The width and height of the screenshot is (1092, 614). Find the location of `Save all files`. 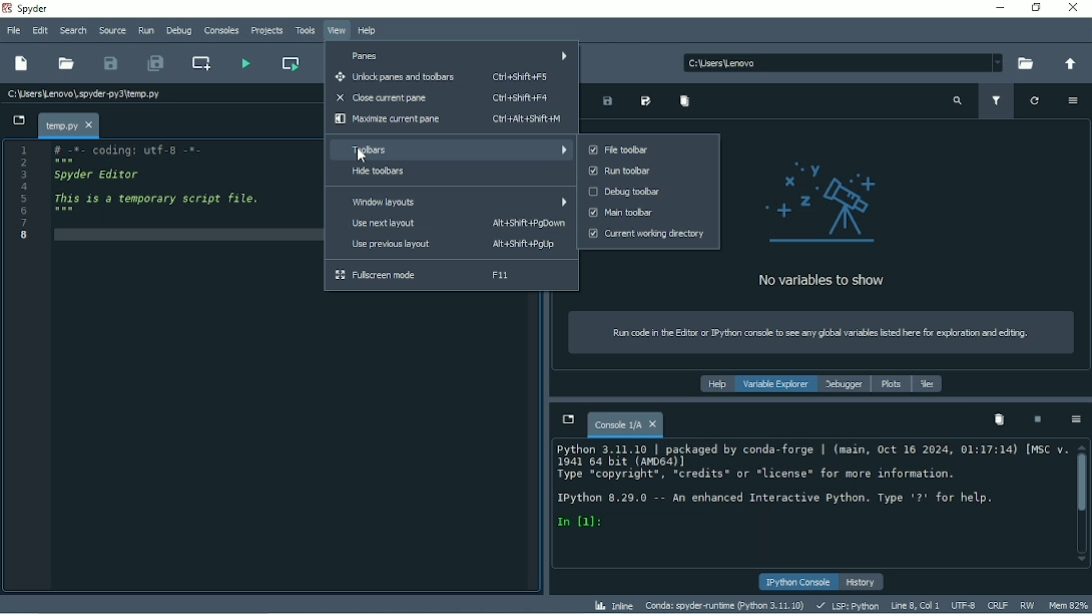

Save all files is located at coordinates (154, 63).